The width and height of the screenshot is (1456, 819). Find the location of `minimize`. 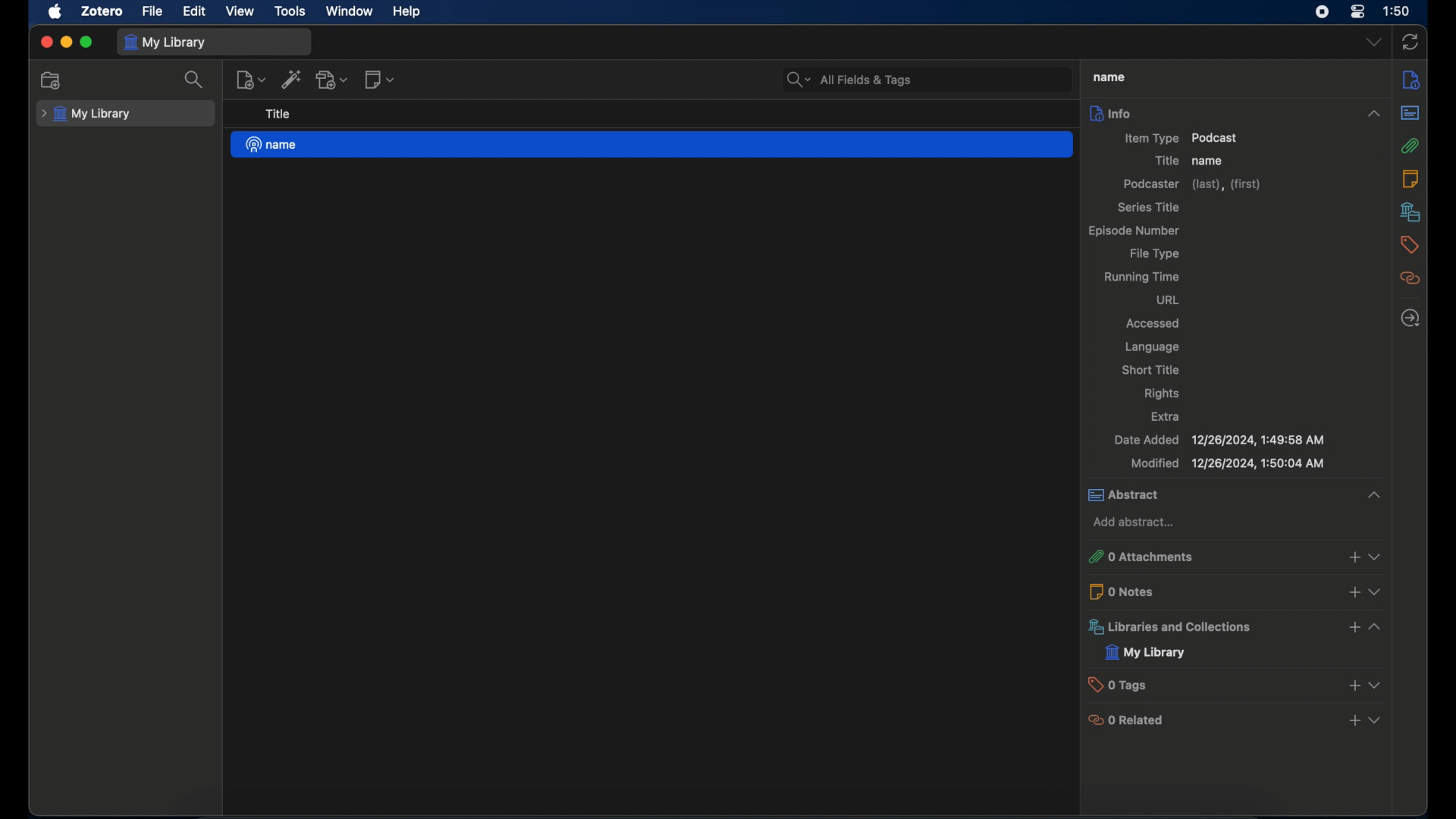

minimize is located at coordinates (65, 43).